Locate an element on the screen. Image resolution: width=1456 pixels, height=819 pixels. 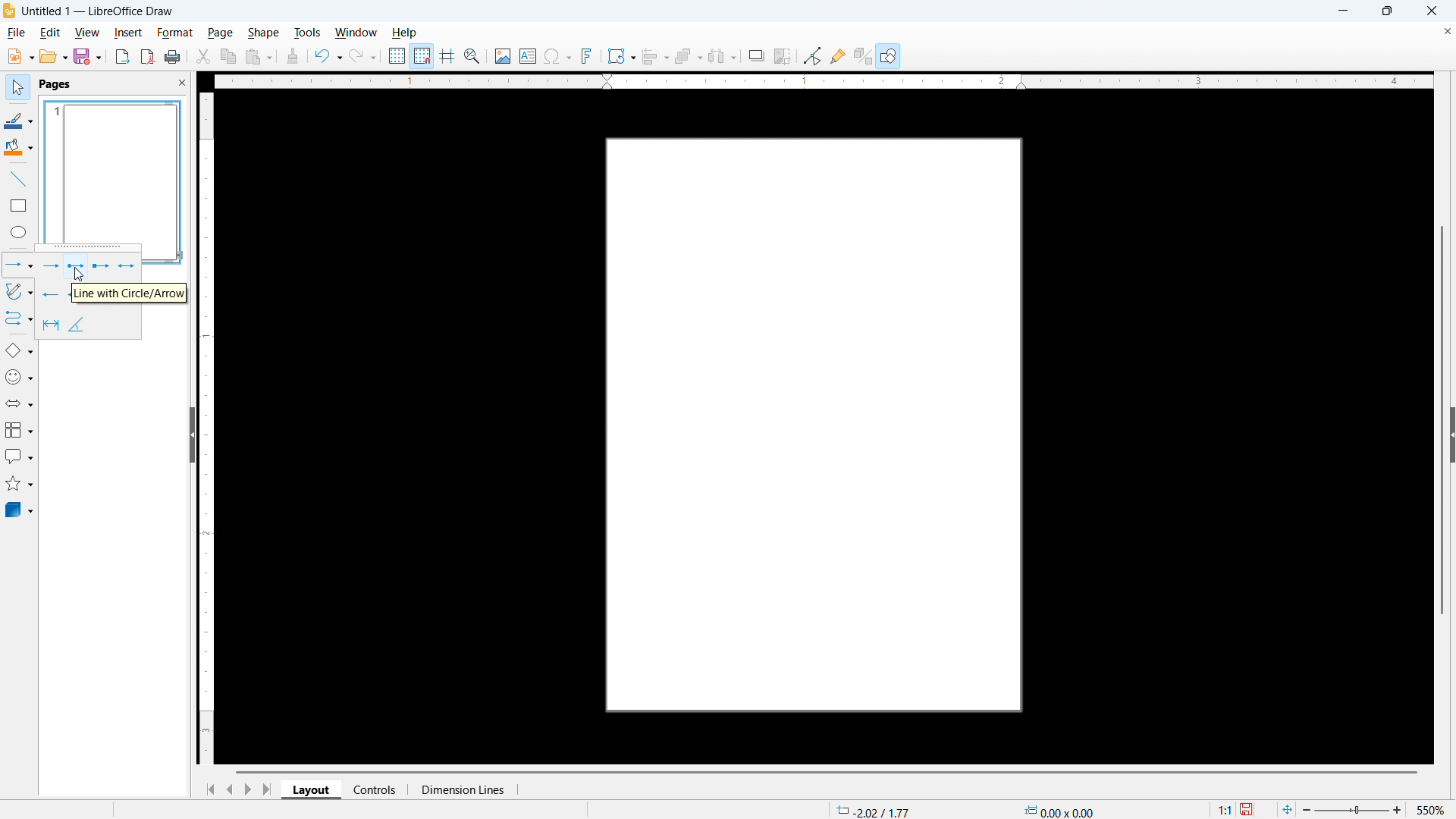
New  is located at coordinates (20, 57).